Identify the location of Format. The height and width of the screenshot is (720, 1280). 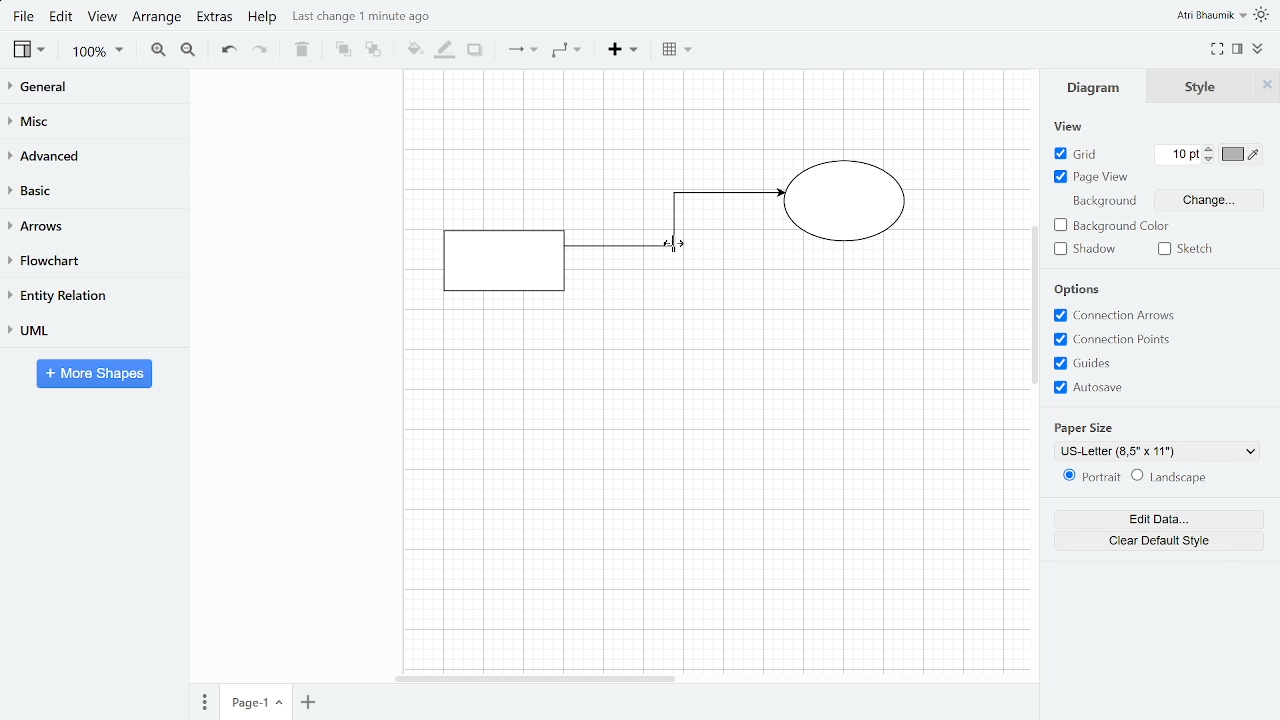
(1238, 49).